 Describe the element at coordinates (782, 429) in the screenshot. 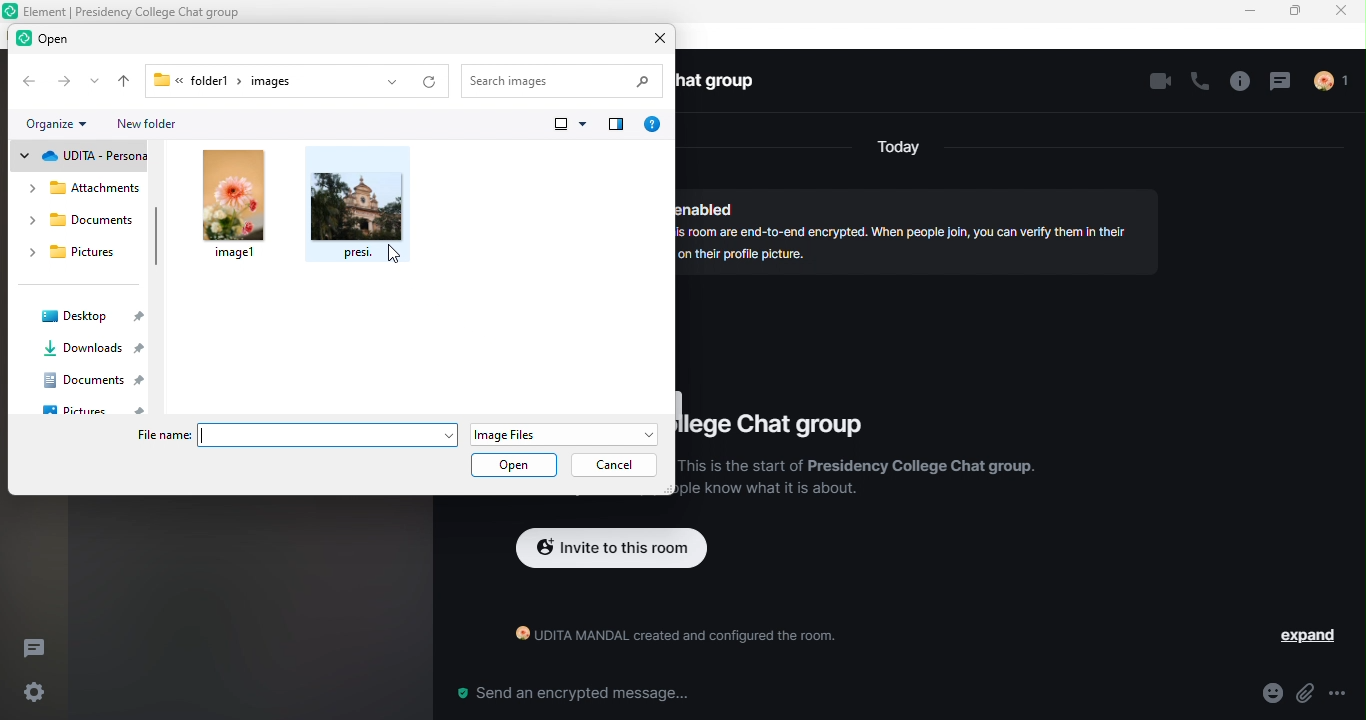

I see `presidency college chat group` at that location.